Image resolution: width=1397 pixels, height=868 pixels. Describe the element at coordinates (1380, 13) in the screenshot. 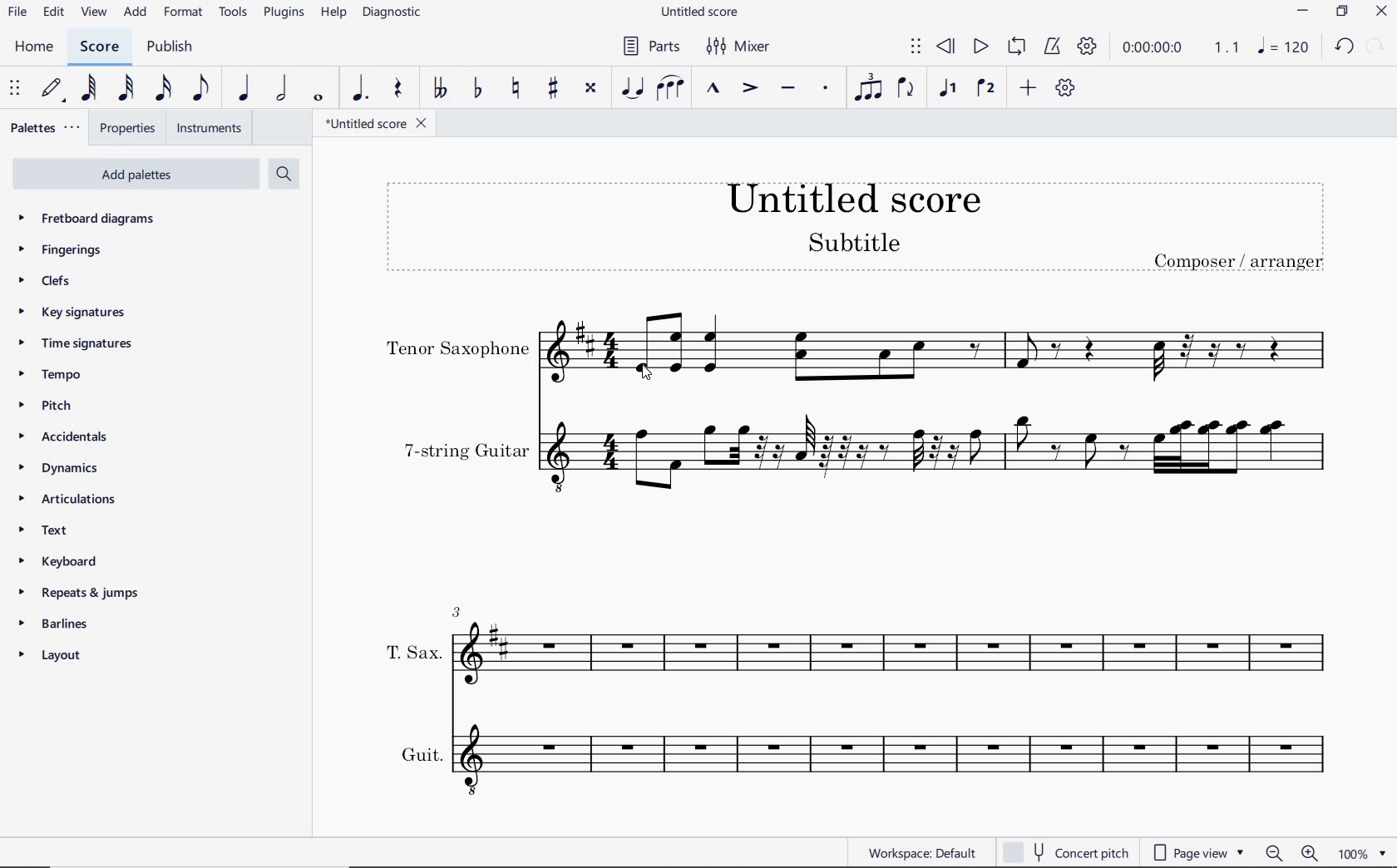

I see `CLOSE` at that location.